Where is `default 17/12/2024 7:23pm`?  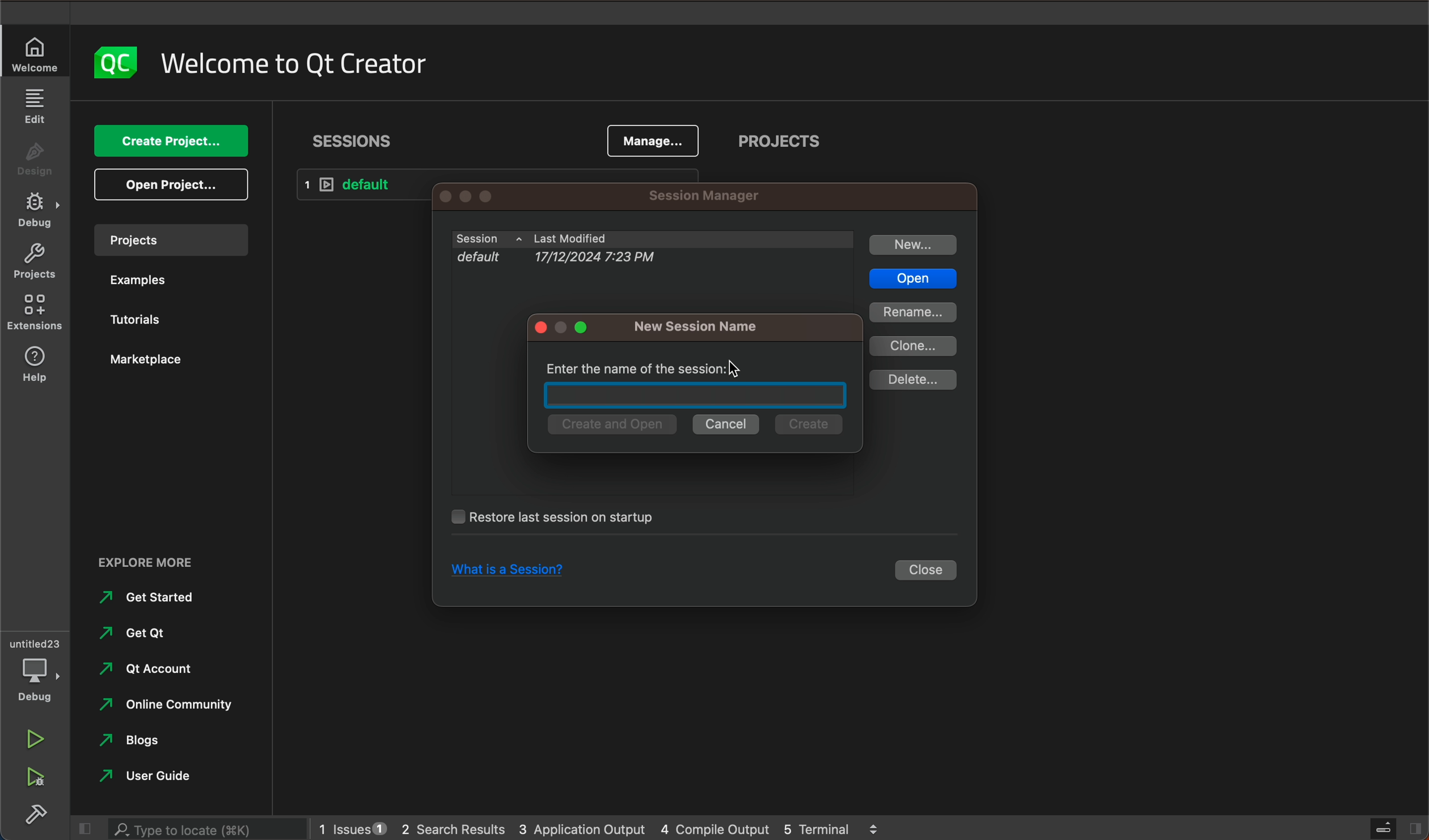 default 17/12/2024 7:23pm is located at coordinates (644, 261).